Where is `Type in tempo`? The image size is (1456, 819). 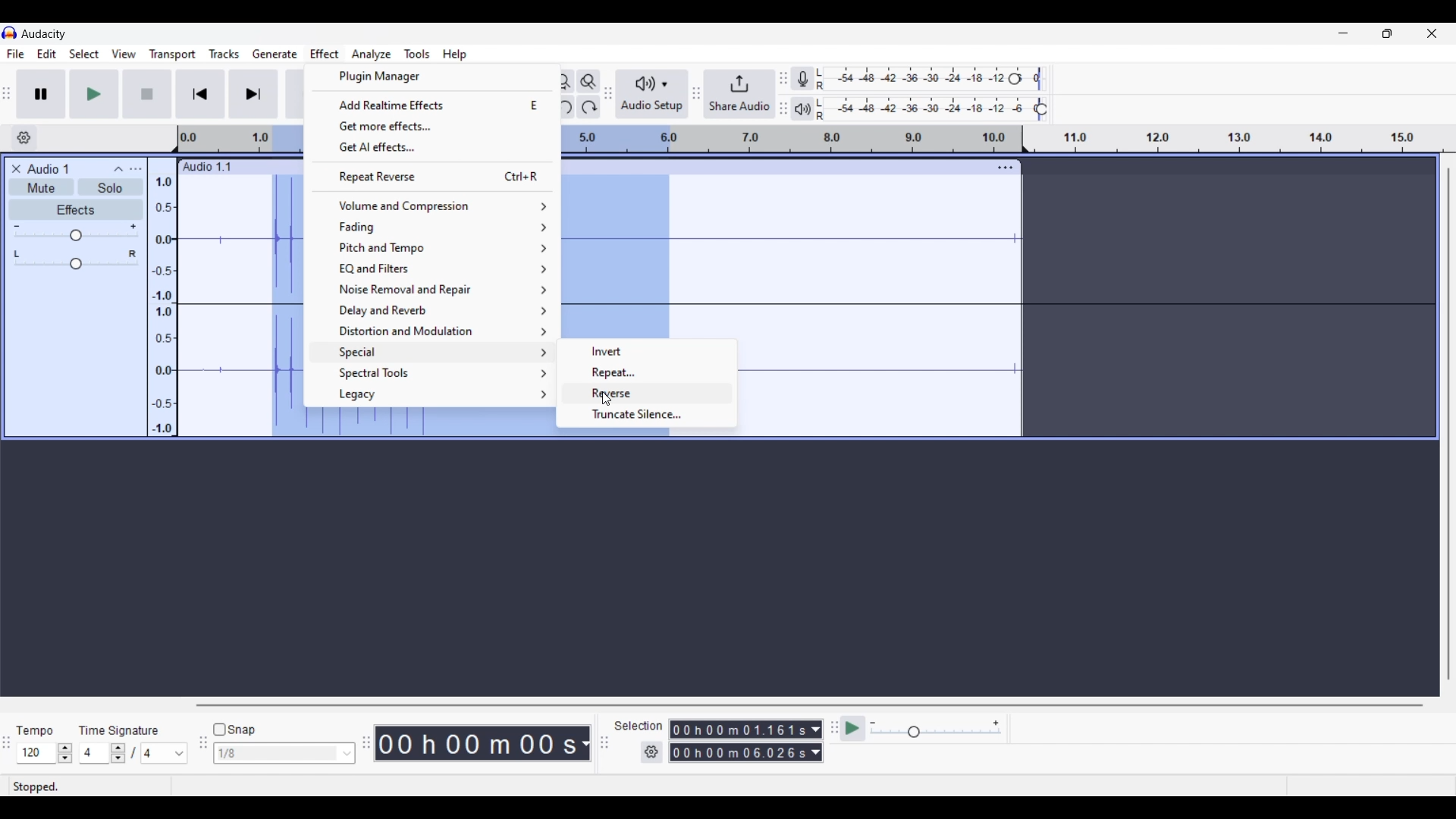 Type in tempo is located at coordinates (37, 753).